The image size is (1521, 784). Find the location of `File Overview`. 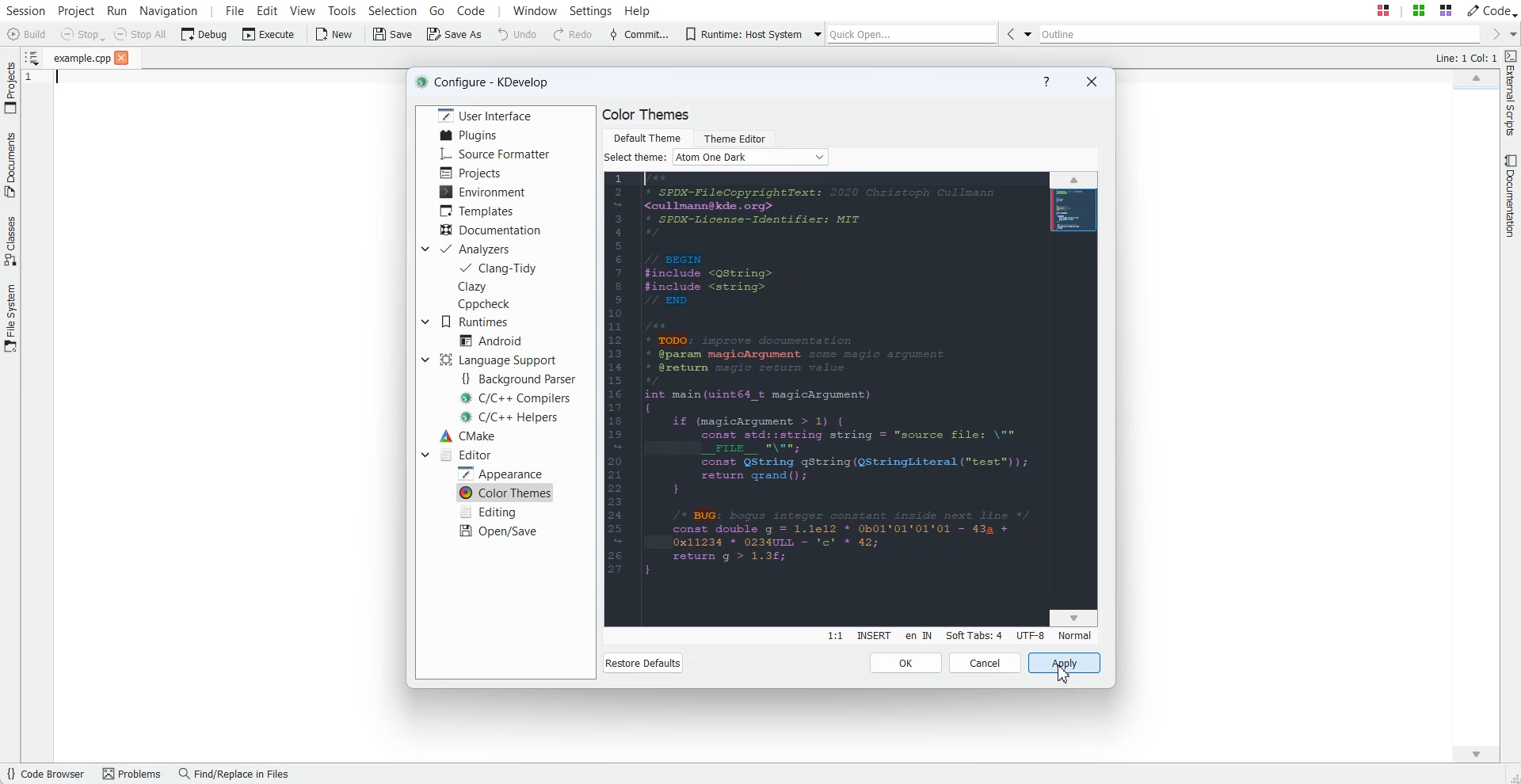

File Overview is located at coordinates (1473, 91).